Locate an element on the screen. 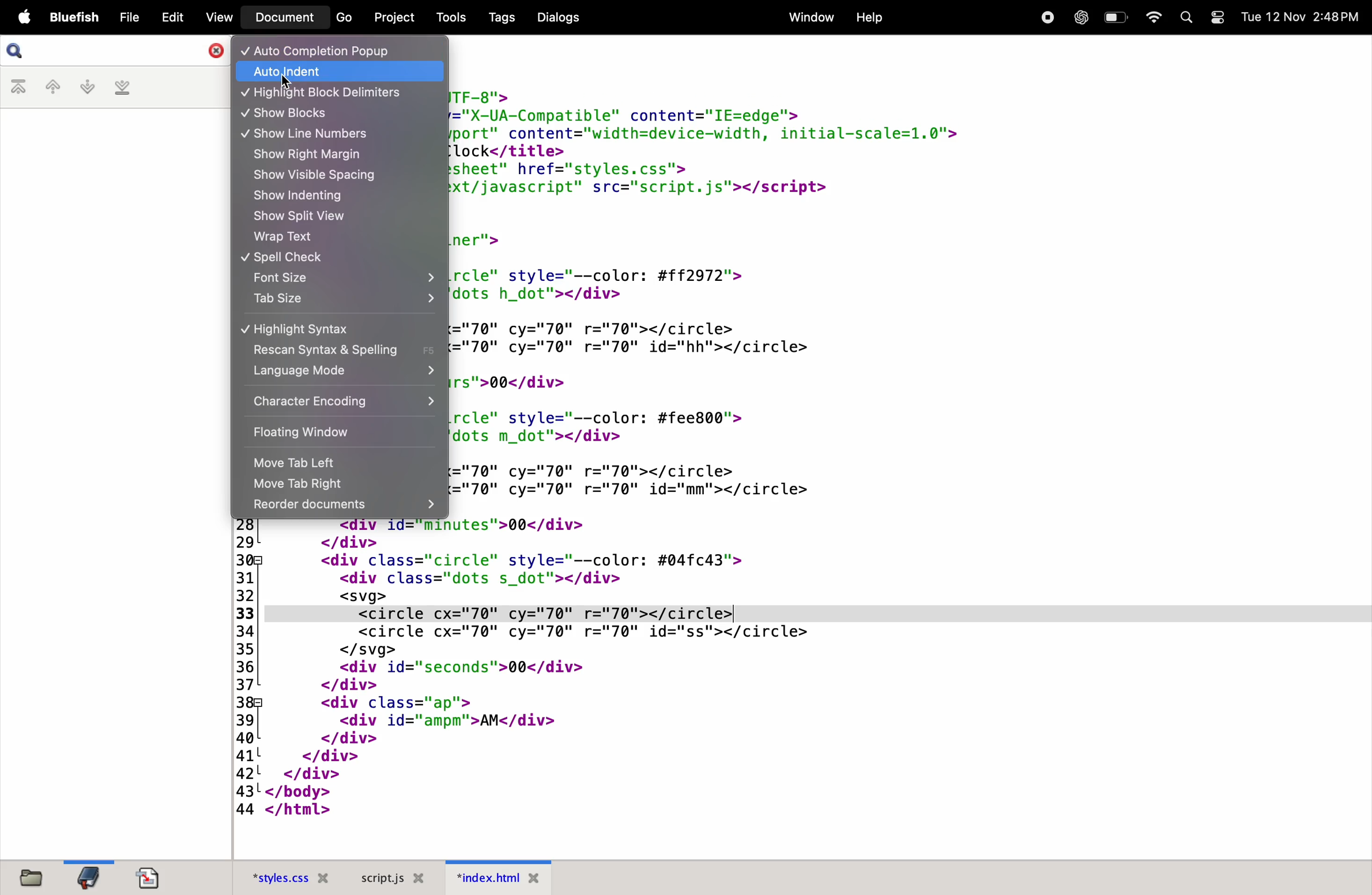 The height and width of the screenshot is (895, 1372). battery is located at coordinates (1113, 17).